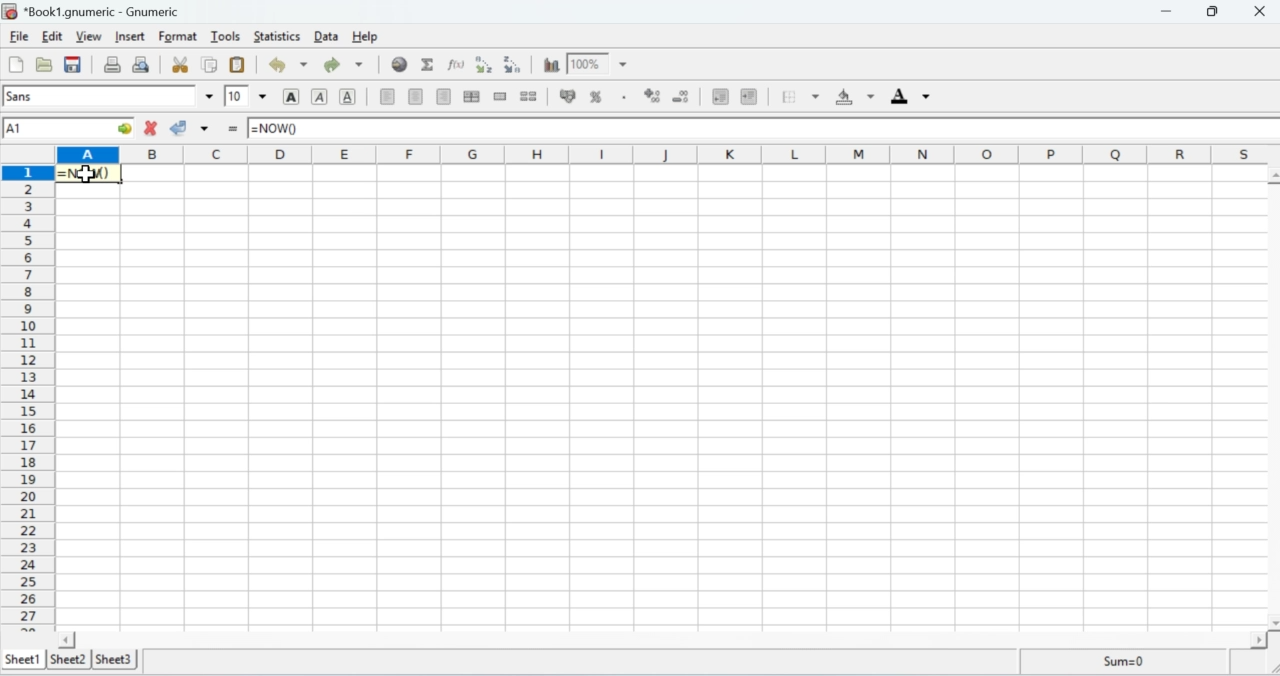 The image size is (1280, 676). What do you see at coordinates (107, 97) in the screenshot?
I see `Font name sans` at bounding box center [107, 97].